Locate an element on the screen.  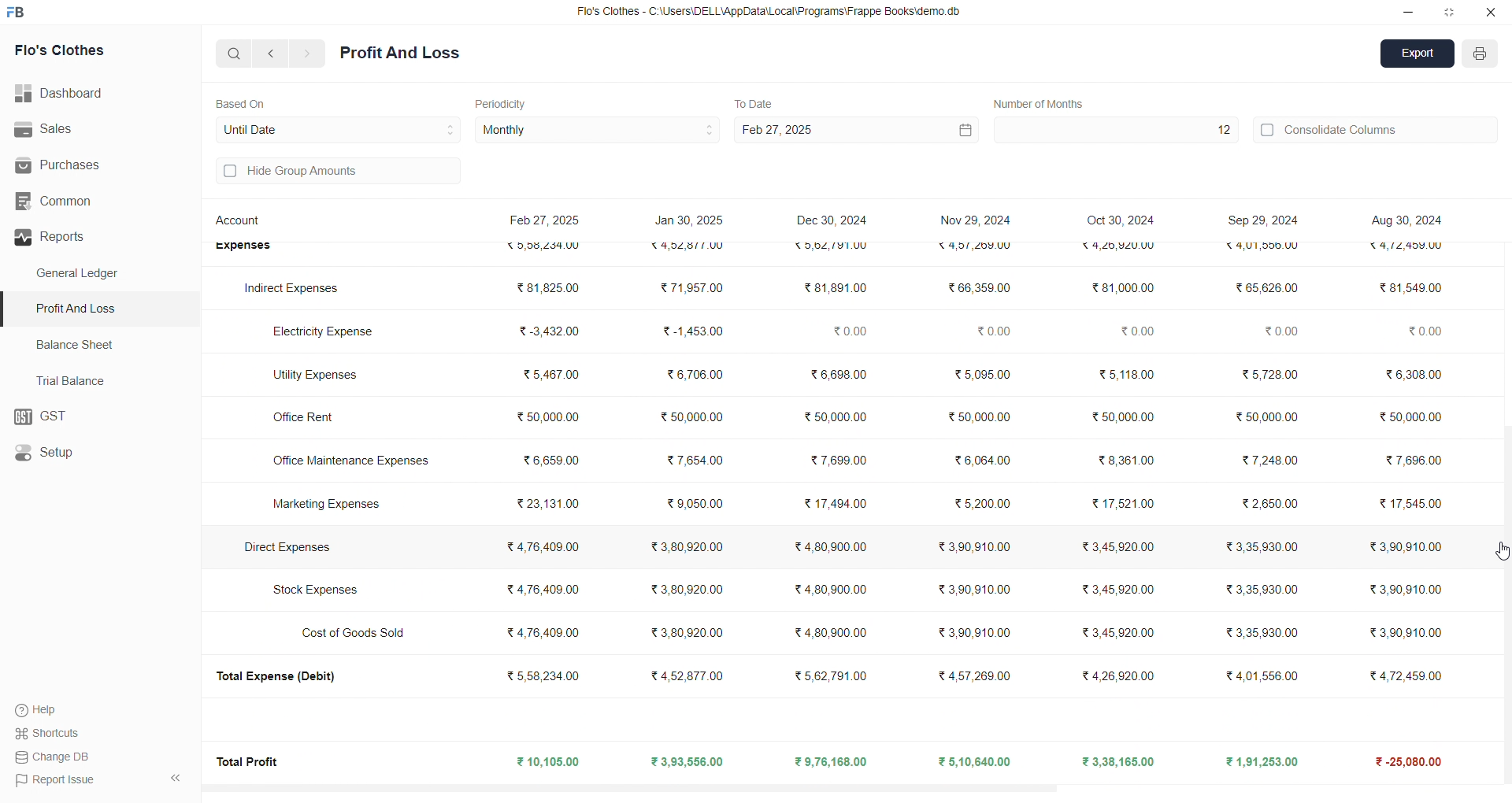
₹ 5,118.00 is located at coordinates (1121, 373).